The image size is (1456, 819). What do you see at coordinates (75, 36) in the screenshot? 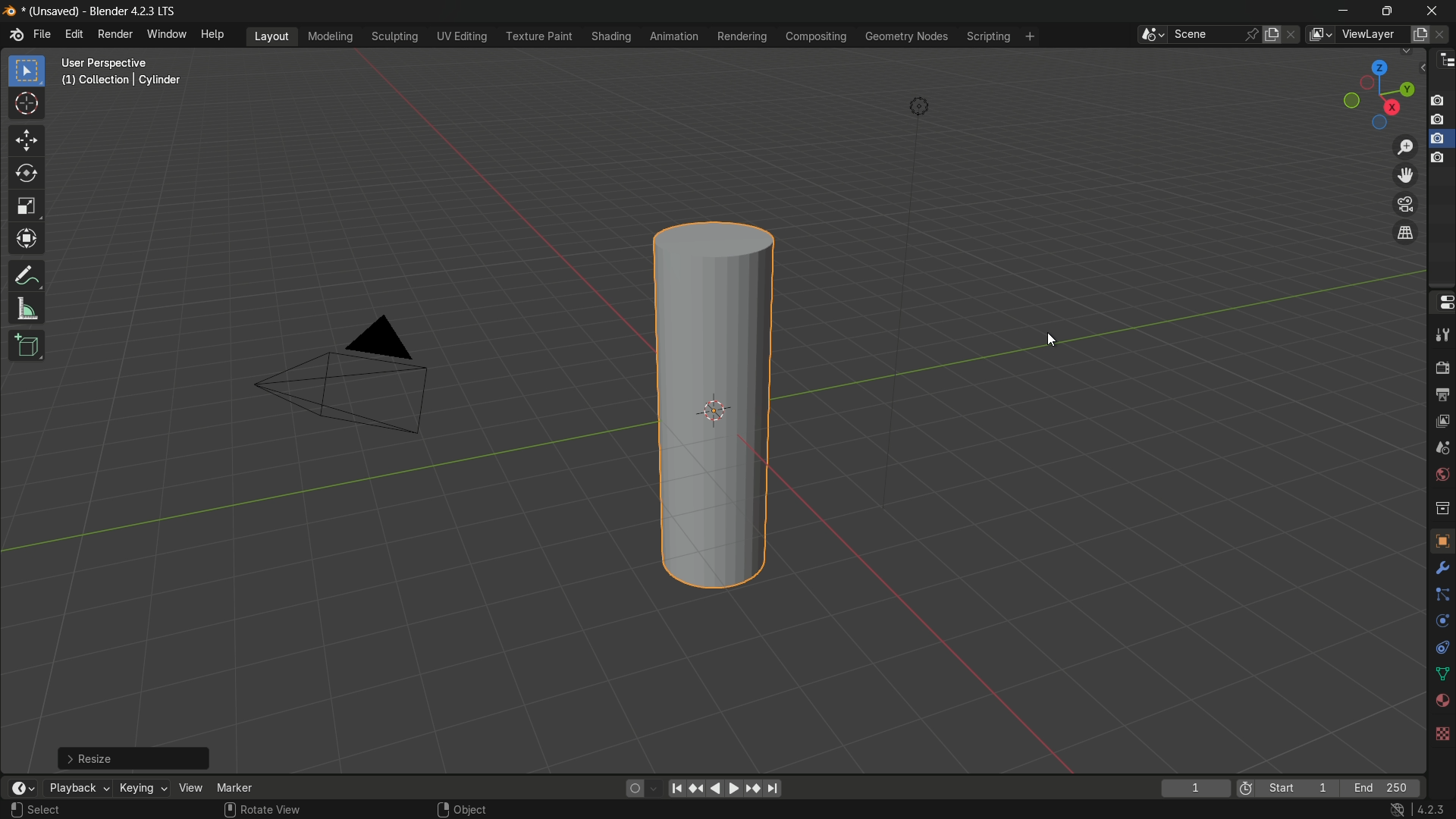
I see `edit menu` at bounding box center [75, 36].